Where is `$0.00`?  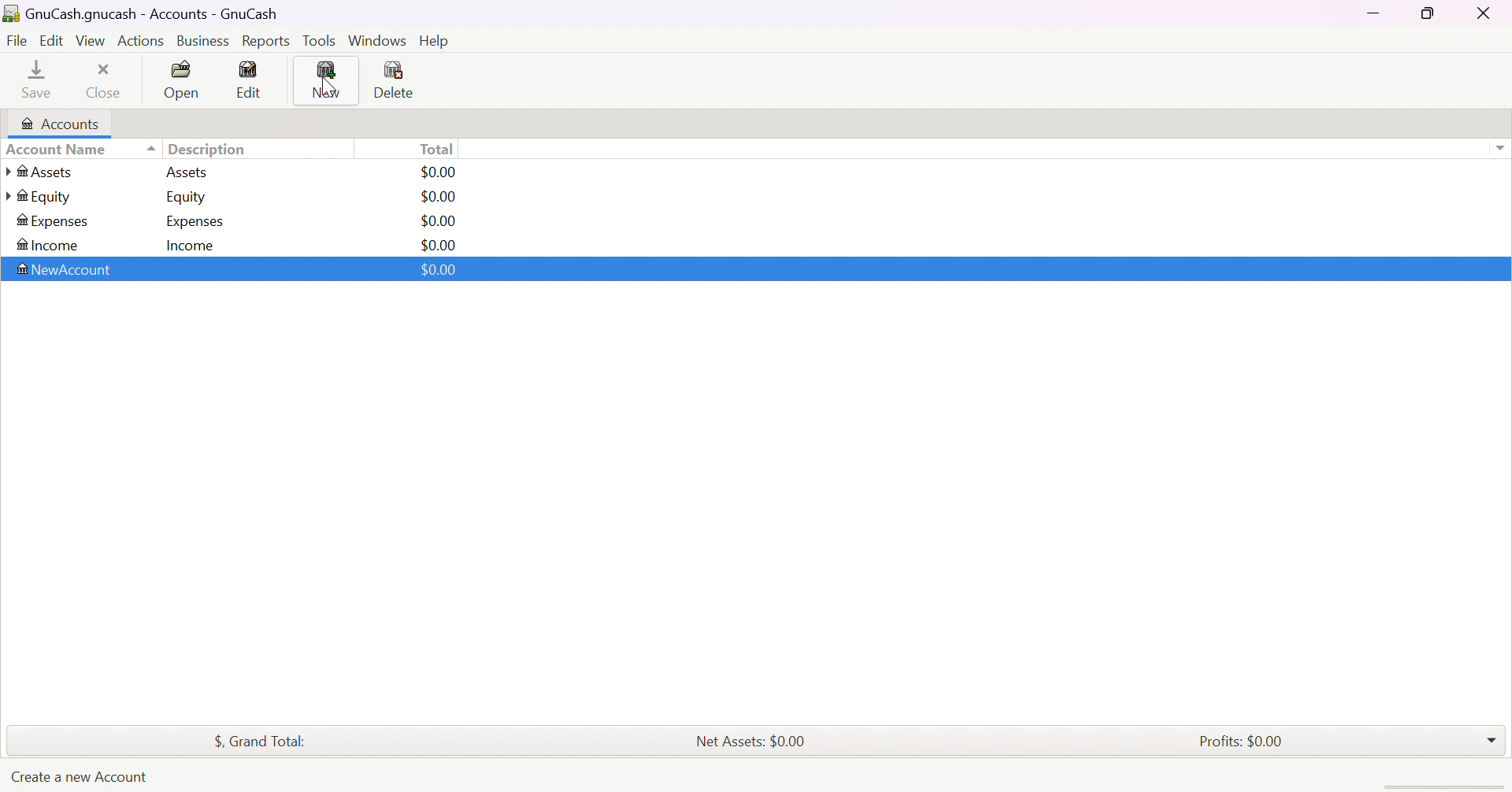 $0.00 is located at coordinates (435, 246).